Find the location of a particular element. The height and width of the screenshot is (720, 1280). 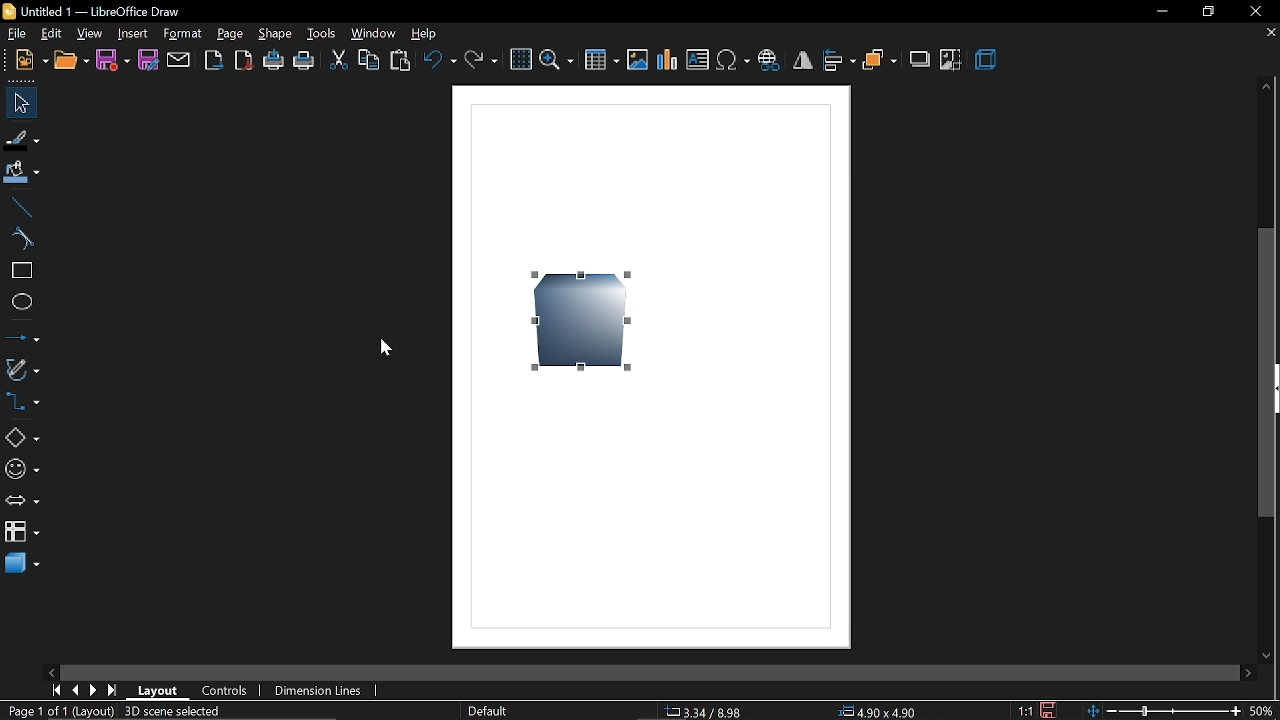

cut is located at coordinates (339, 63).